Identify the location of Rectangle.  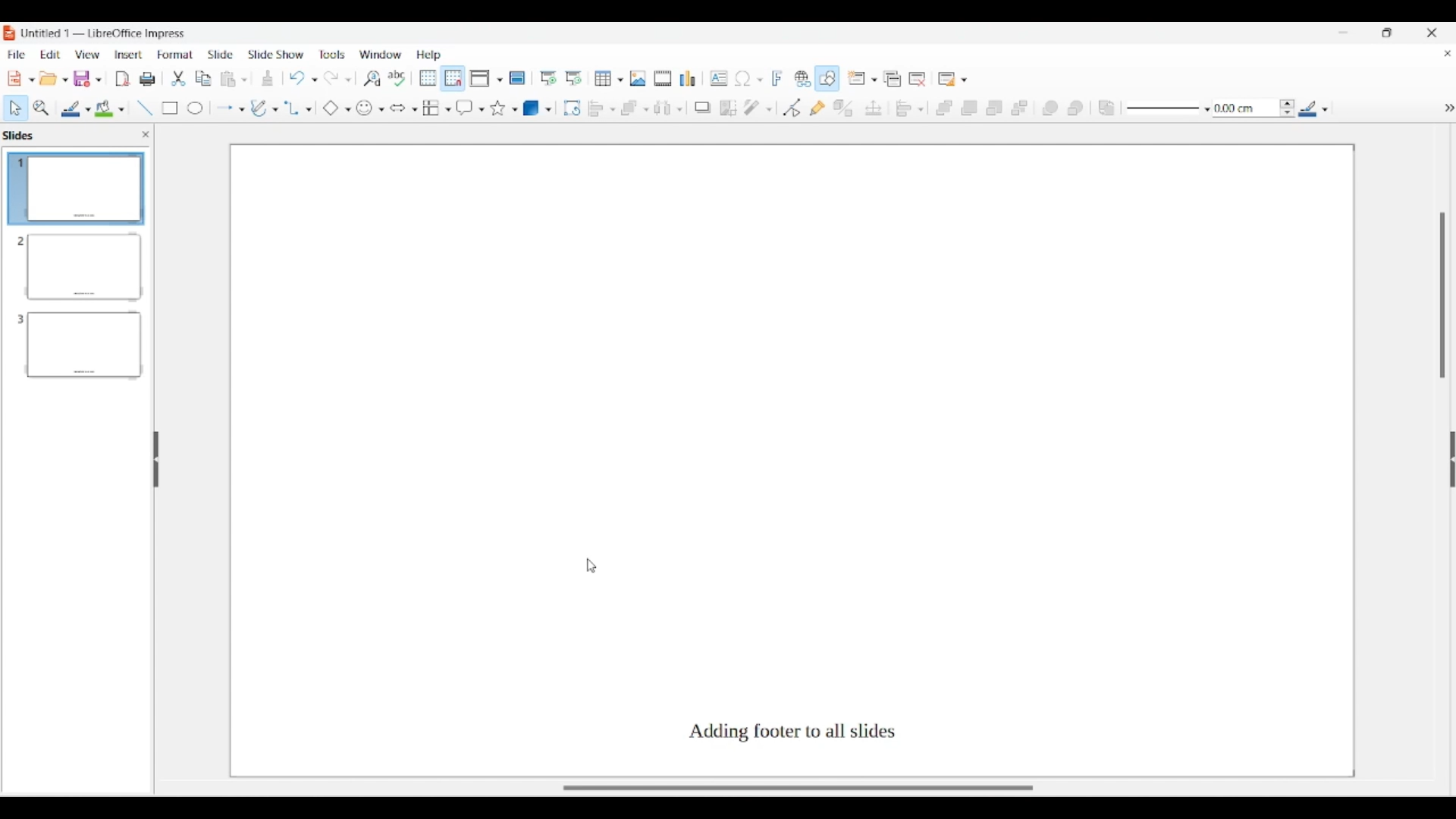
(165, 106).